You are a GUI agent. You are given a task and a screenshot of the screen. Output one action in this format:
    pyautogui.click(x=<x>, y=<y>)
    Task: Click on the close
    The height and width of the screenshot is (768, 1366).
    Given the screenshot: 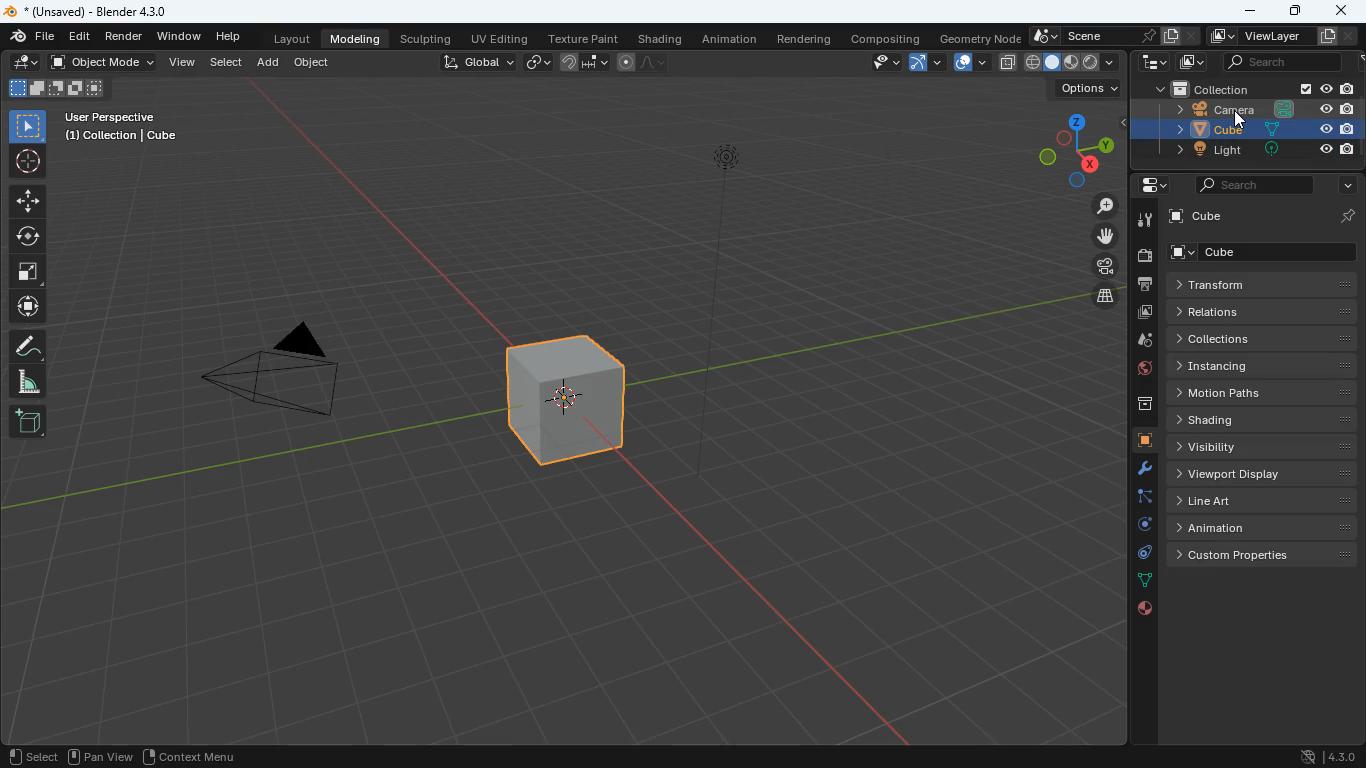 What is the action you would take?
    pyautogui.click(x=1341, y=12)
    